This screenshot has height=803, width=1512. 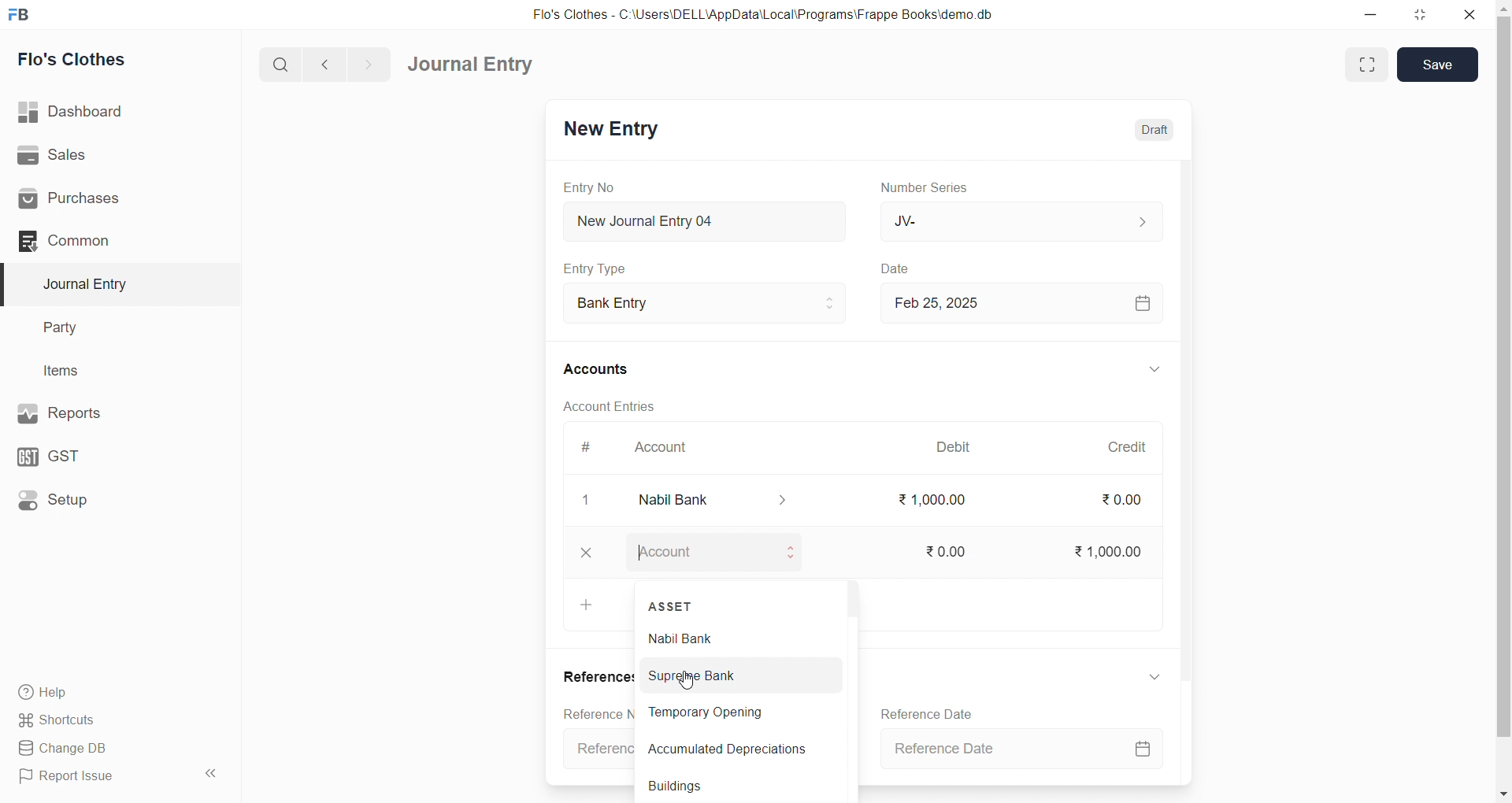 What do you see at coordinates (109, 372) in the screenshot?
I see `Items` at bounding box center [109, 372].